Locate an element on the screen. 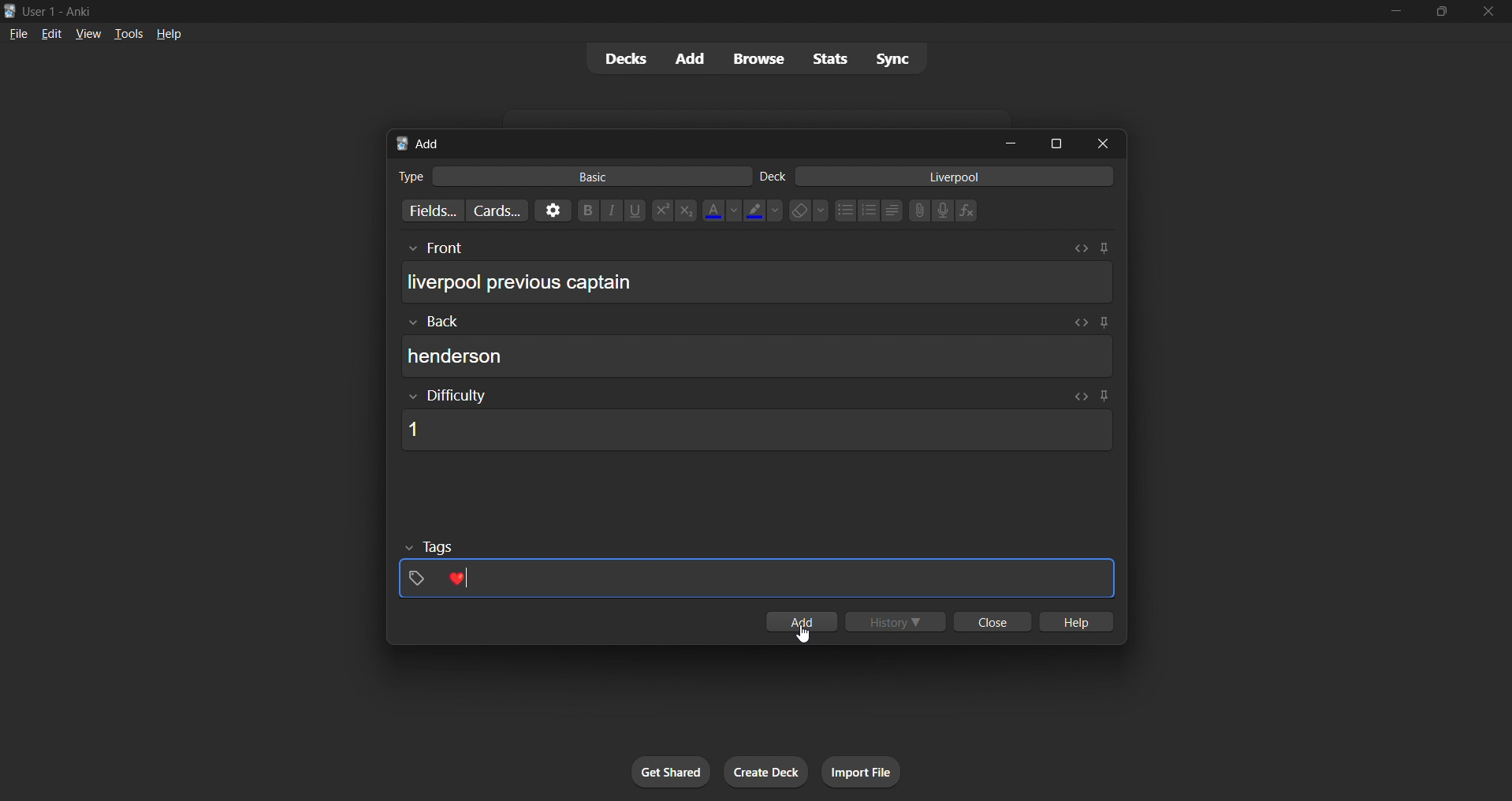  import file is located at coordinates (867, 770).